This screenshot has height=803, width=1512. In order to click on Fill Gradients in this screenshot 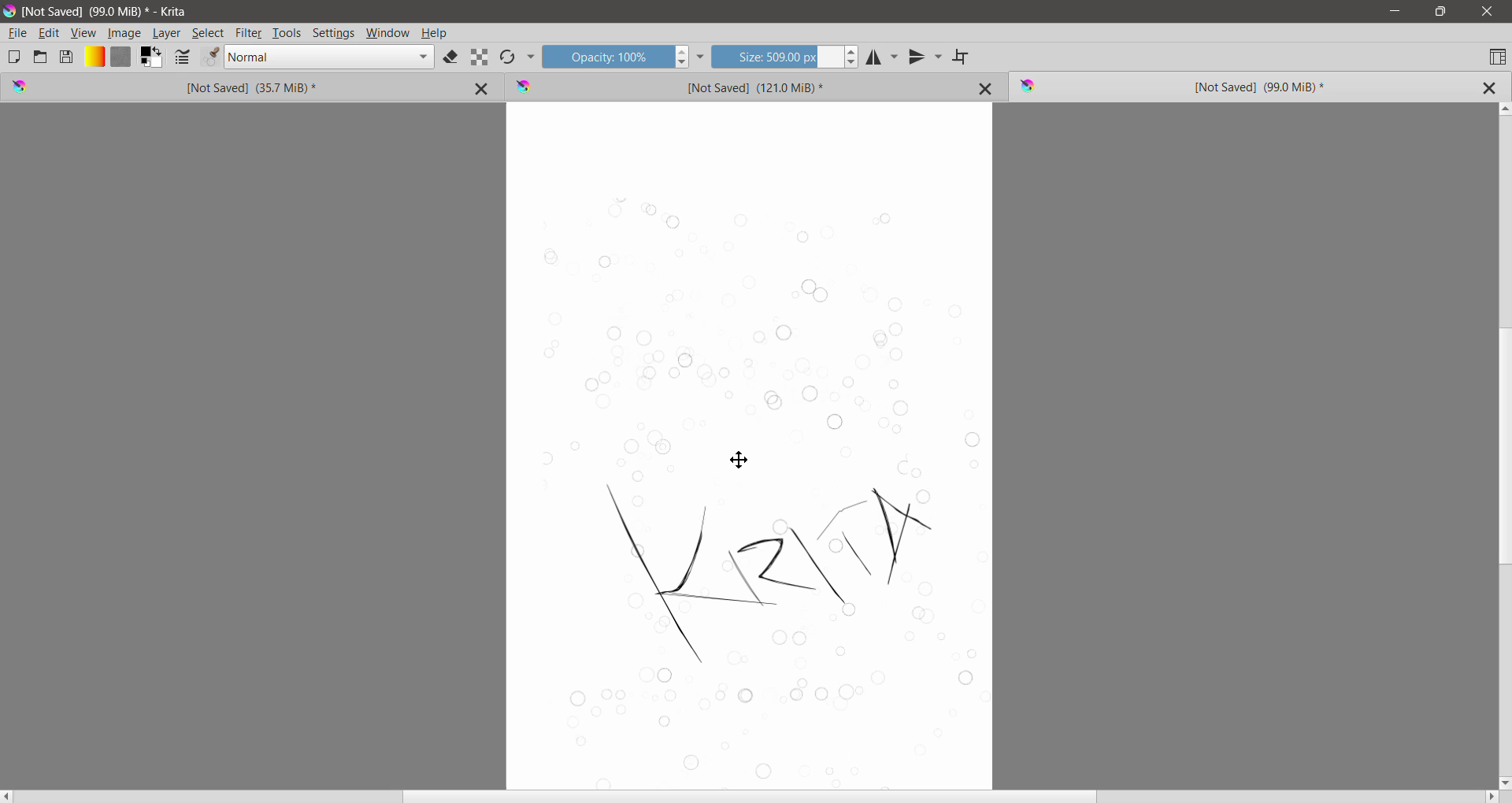, I will do `click(94, 57)`.